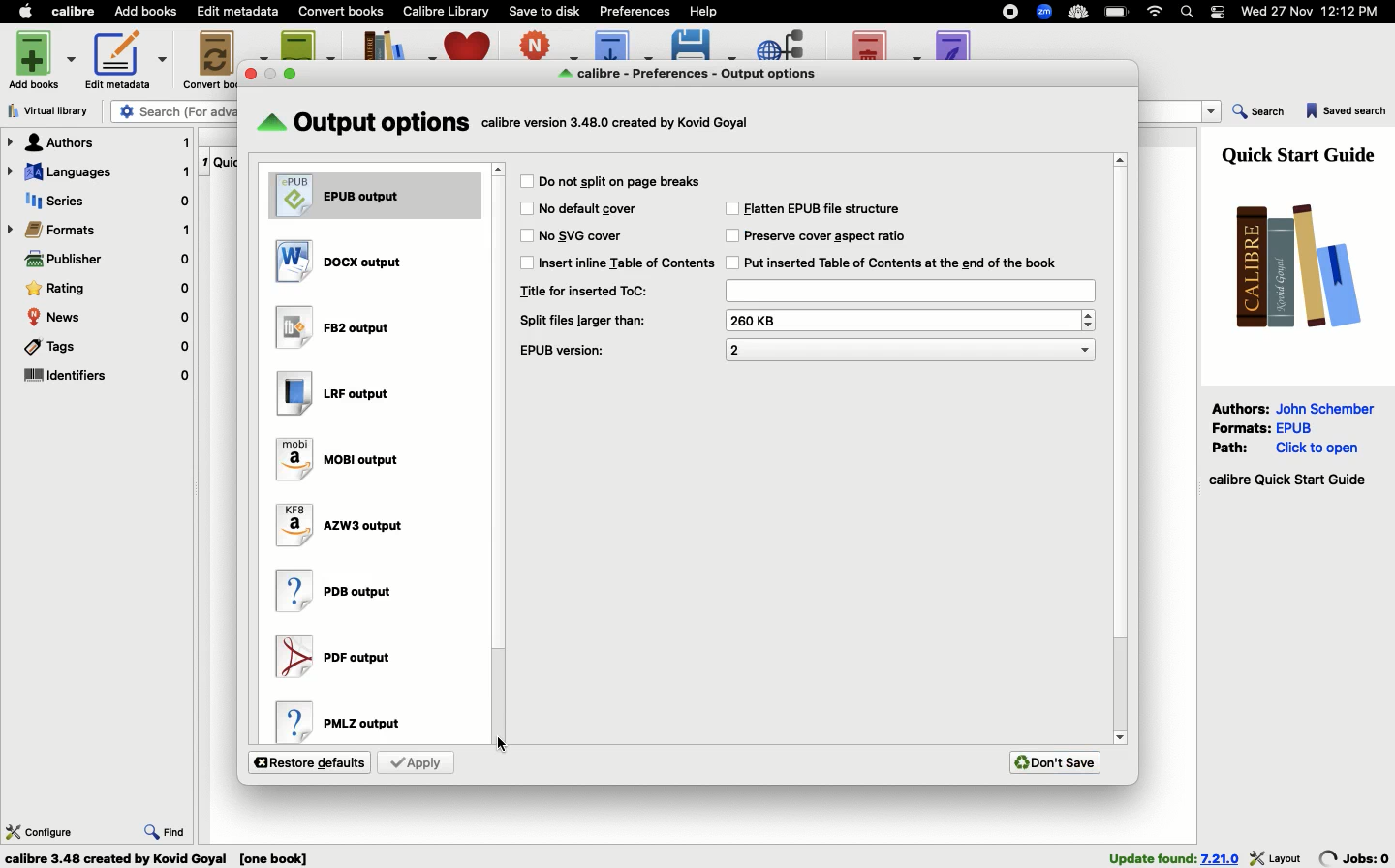 This screenshot has width=1395, height=868. I want to click on layout, so click(1277, 857).